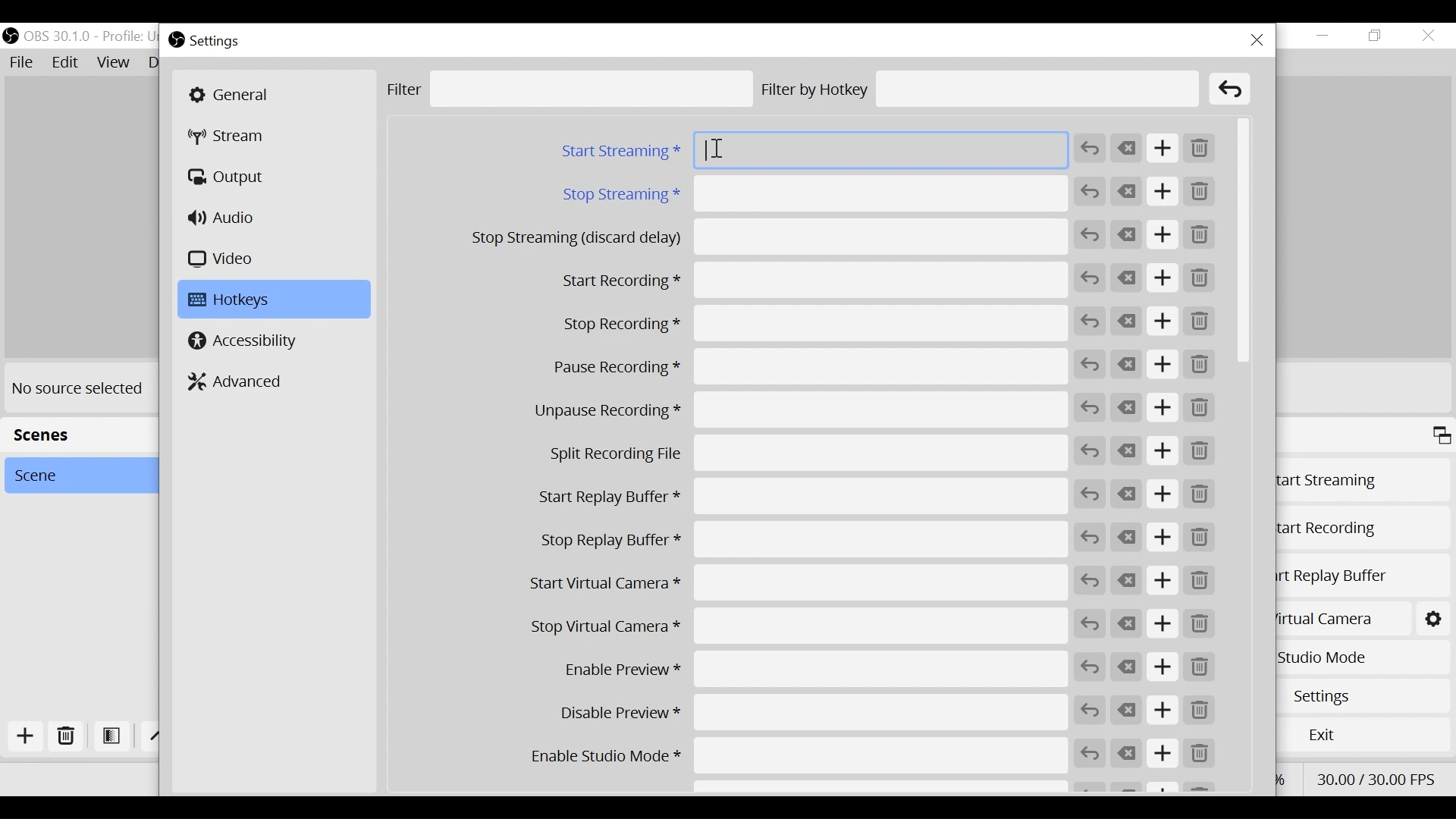 The image size is (1456, 819). Describe the element at coordinates (797, 626) in the screenshot. I see `Stop Virtual Camera` at that location.